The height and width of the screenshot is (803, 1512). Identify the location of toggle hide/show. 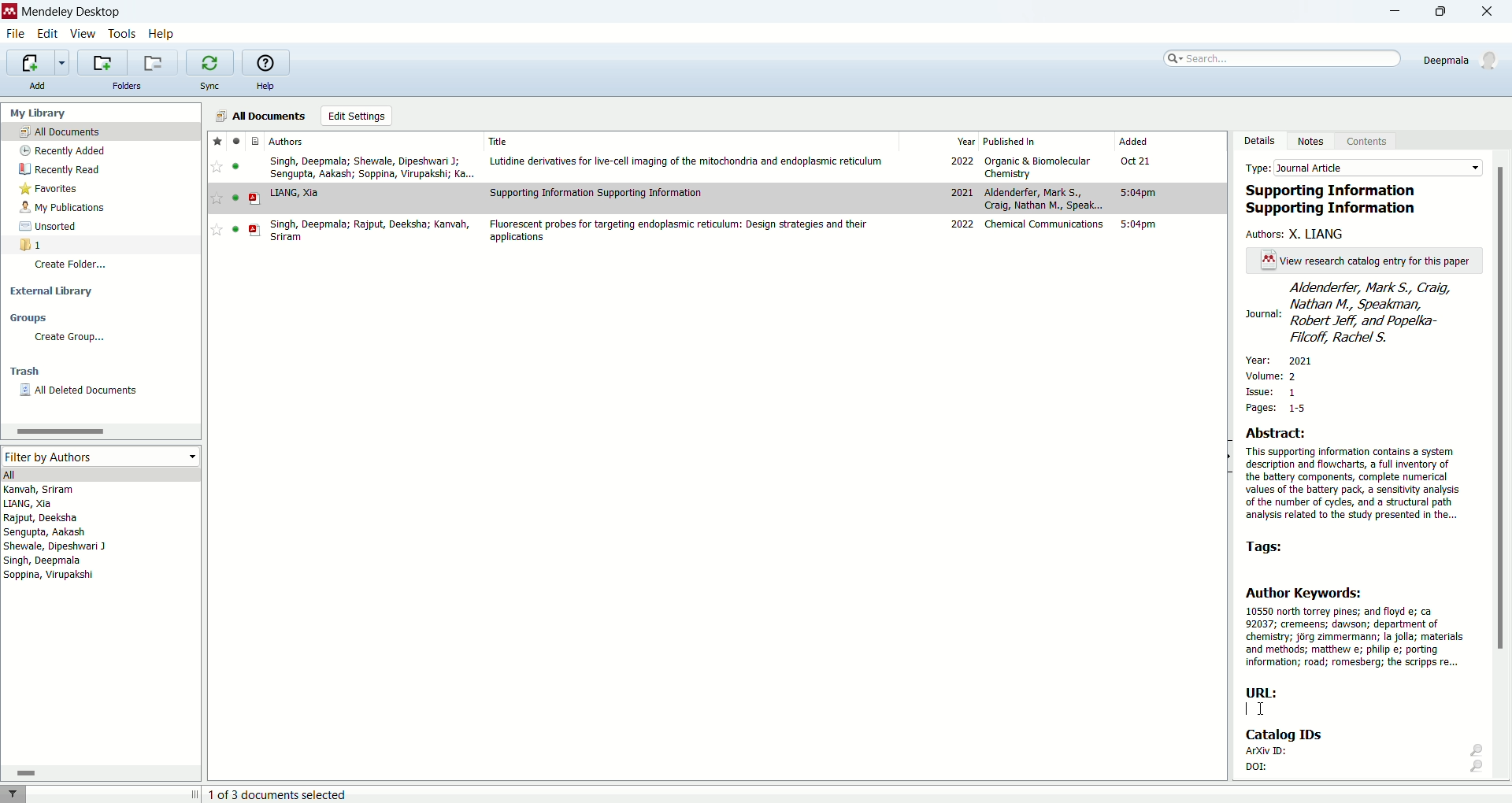
(1228, 457).